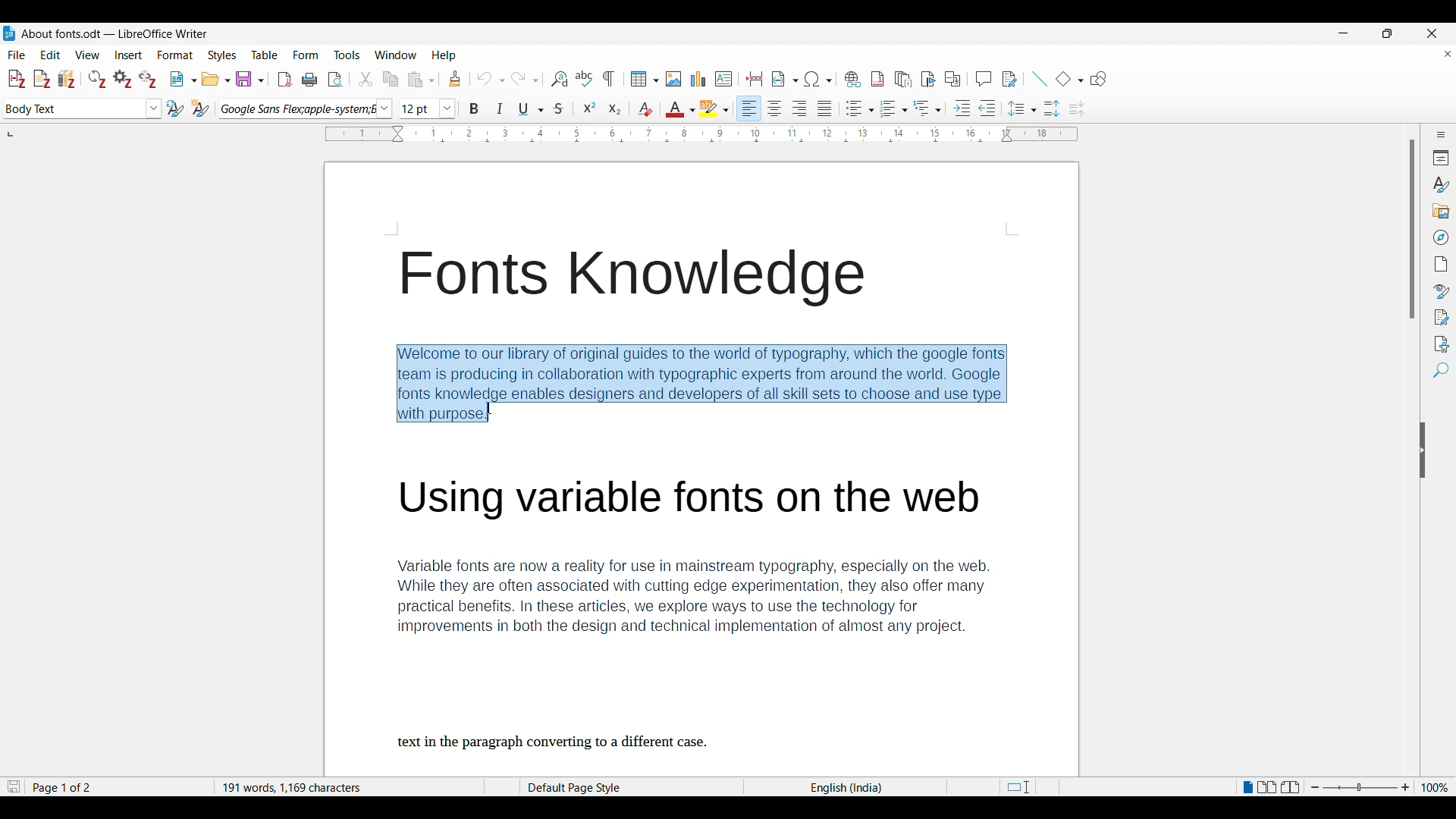 The image size is (1456, 819). Describe the element at coordinates (176, 55) in the screenshot. I see `Format menu` at that location.